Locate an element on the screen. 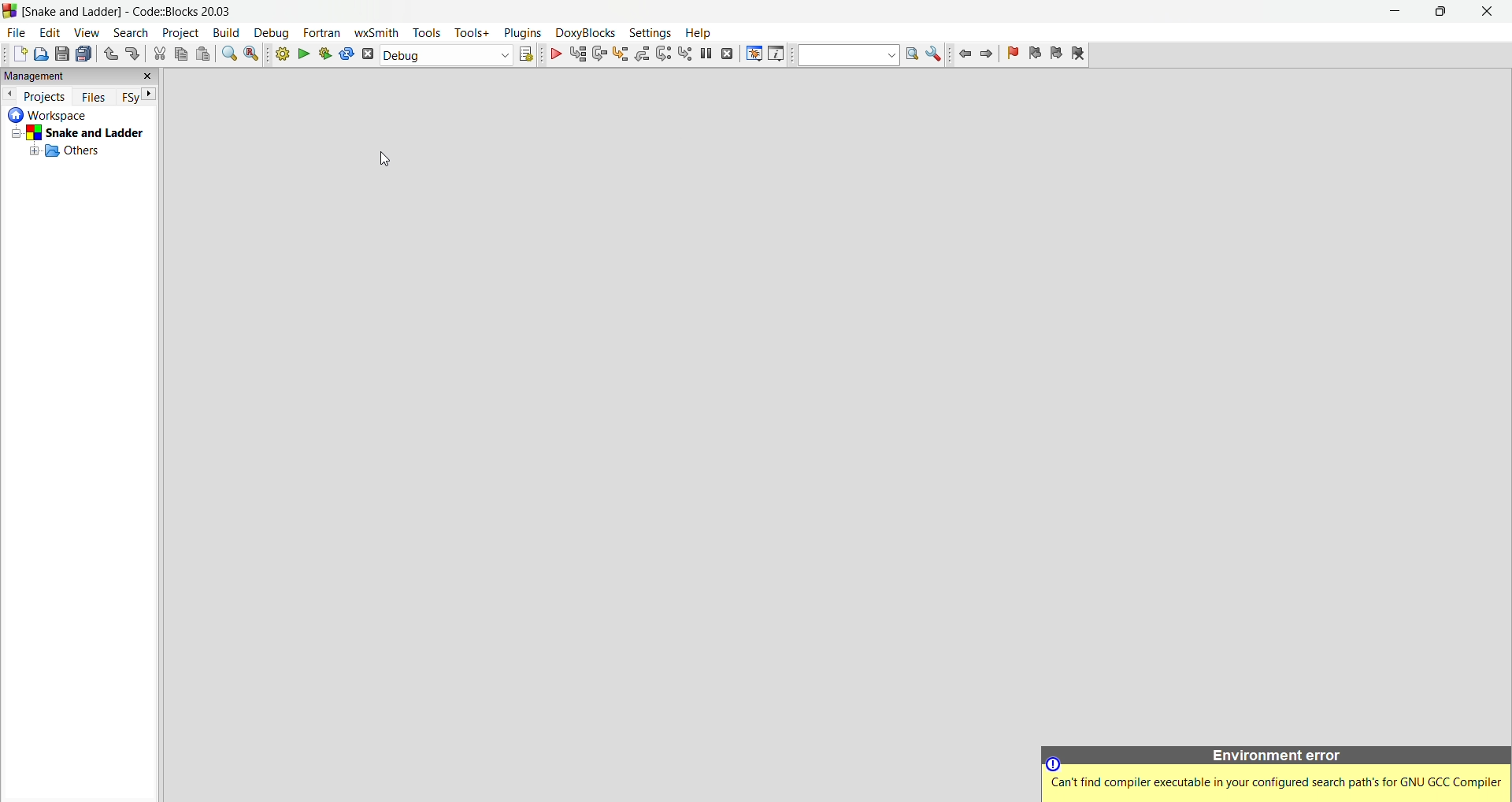 The width and height of the screenshot is (1512, 802). cursor is located at coordinates (389, 160).